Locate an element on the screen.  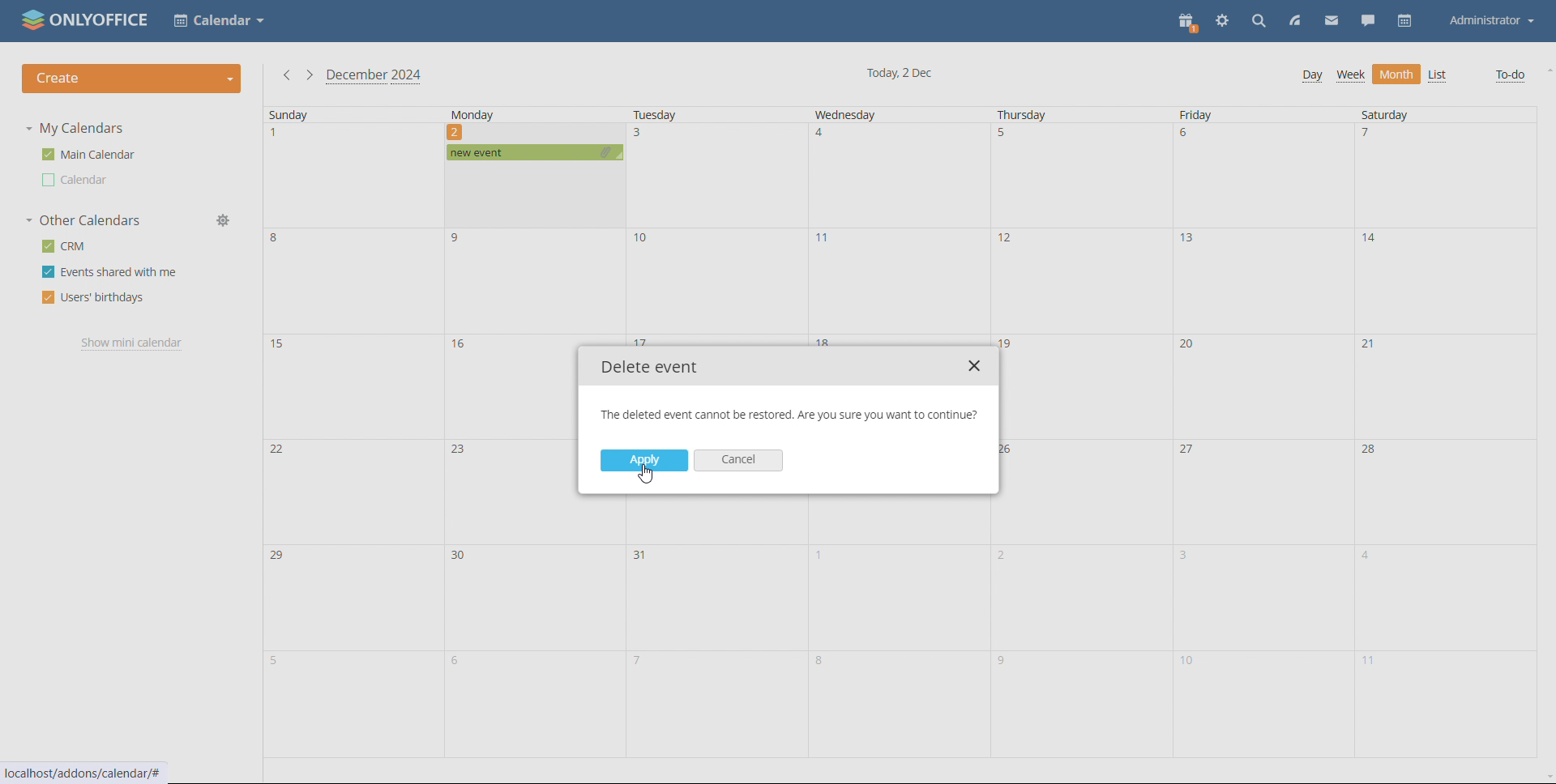
7 is located at coordinates (637, 661).